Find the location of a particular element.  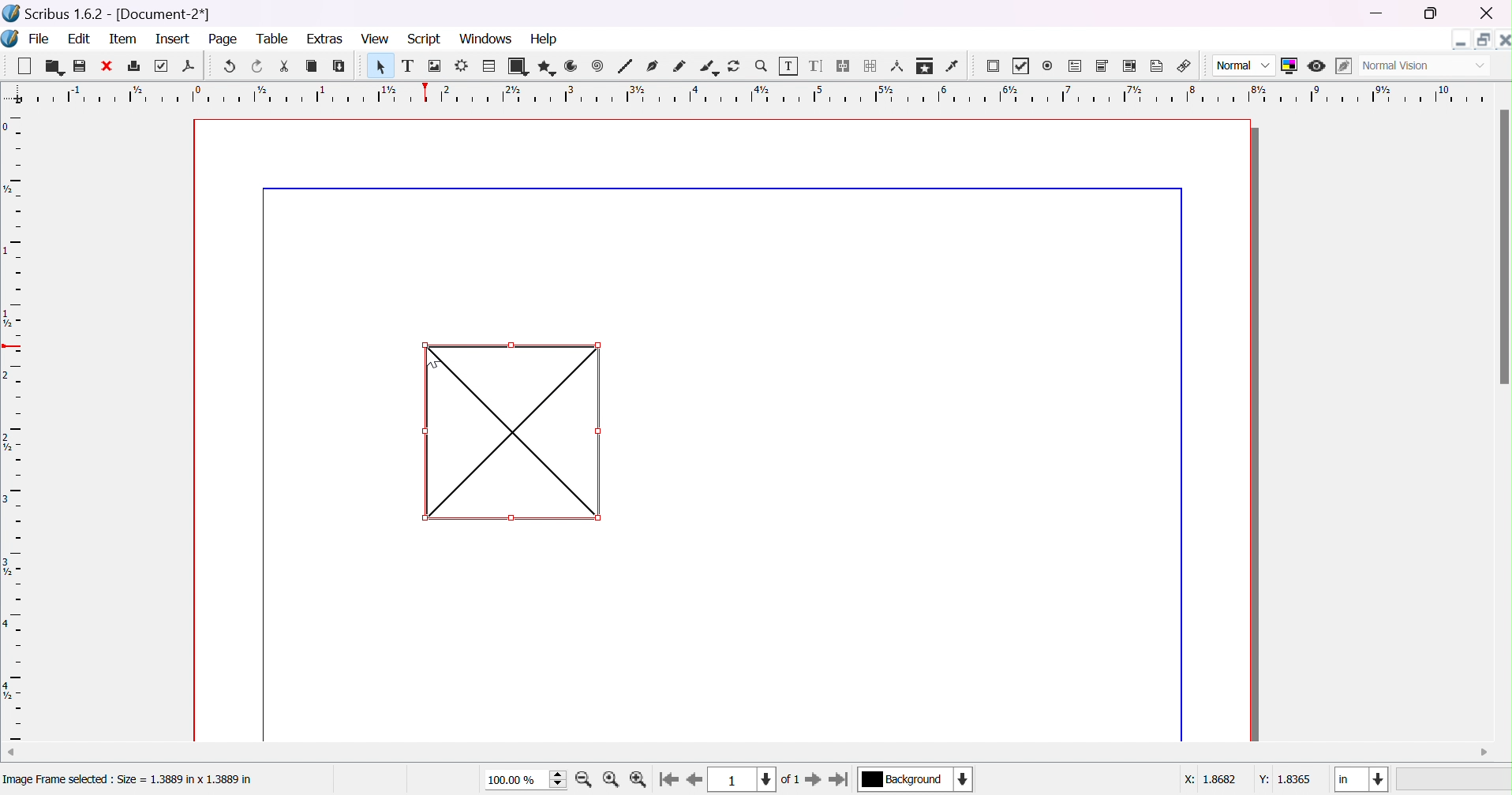

zoom in is located at coordinates (584, 780).